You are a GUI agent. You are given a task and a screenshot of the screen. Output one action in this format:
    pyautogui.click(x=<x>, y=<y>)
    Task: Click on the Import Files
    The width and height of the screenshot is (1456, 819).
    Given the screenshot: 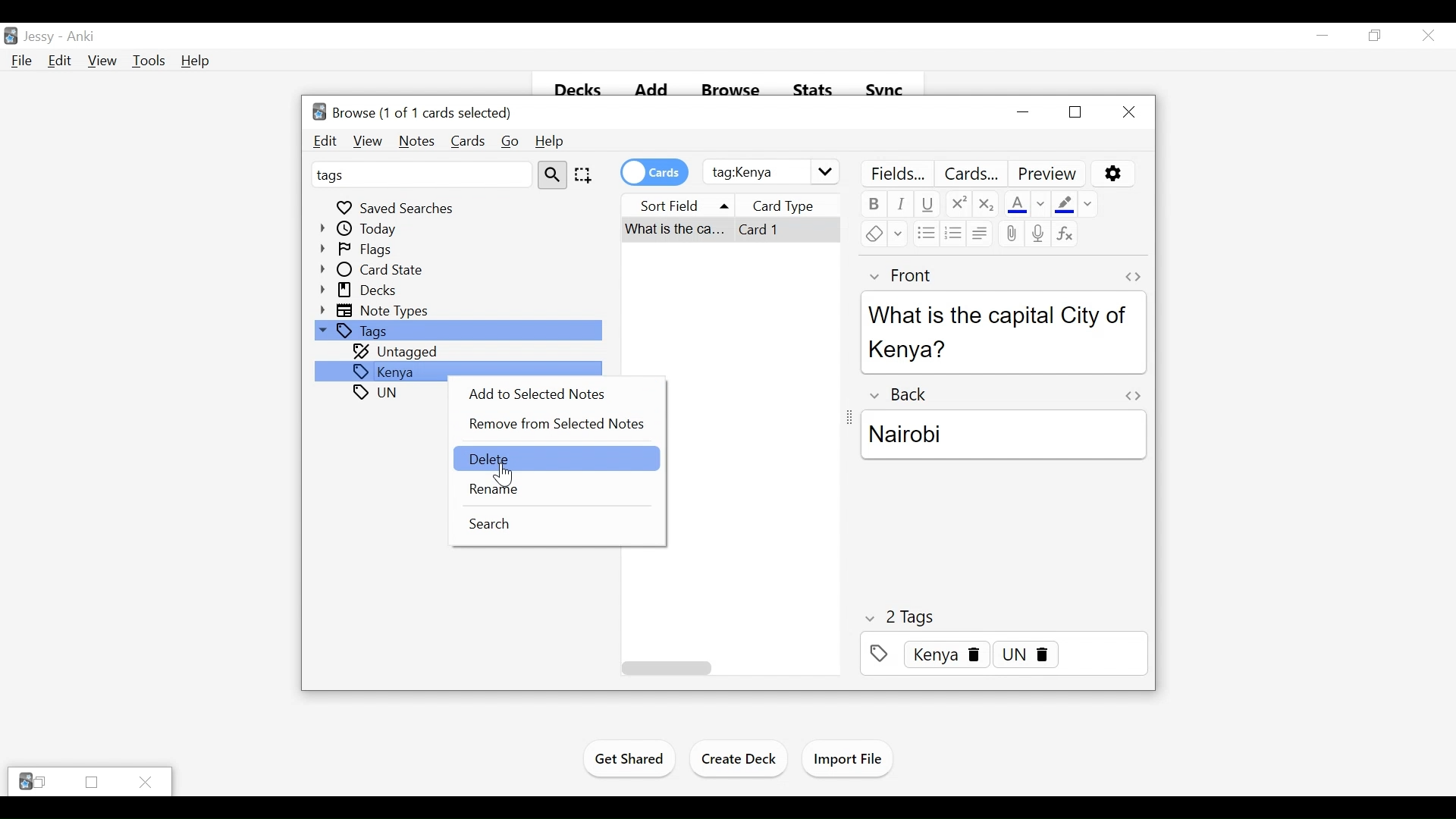 What is the action you would take?
    pyautogui.click(x=848, y=760)
    